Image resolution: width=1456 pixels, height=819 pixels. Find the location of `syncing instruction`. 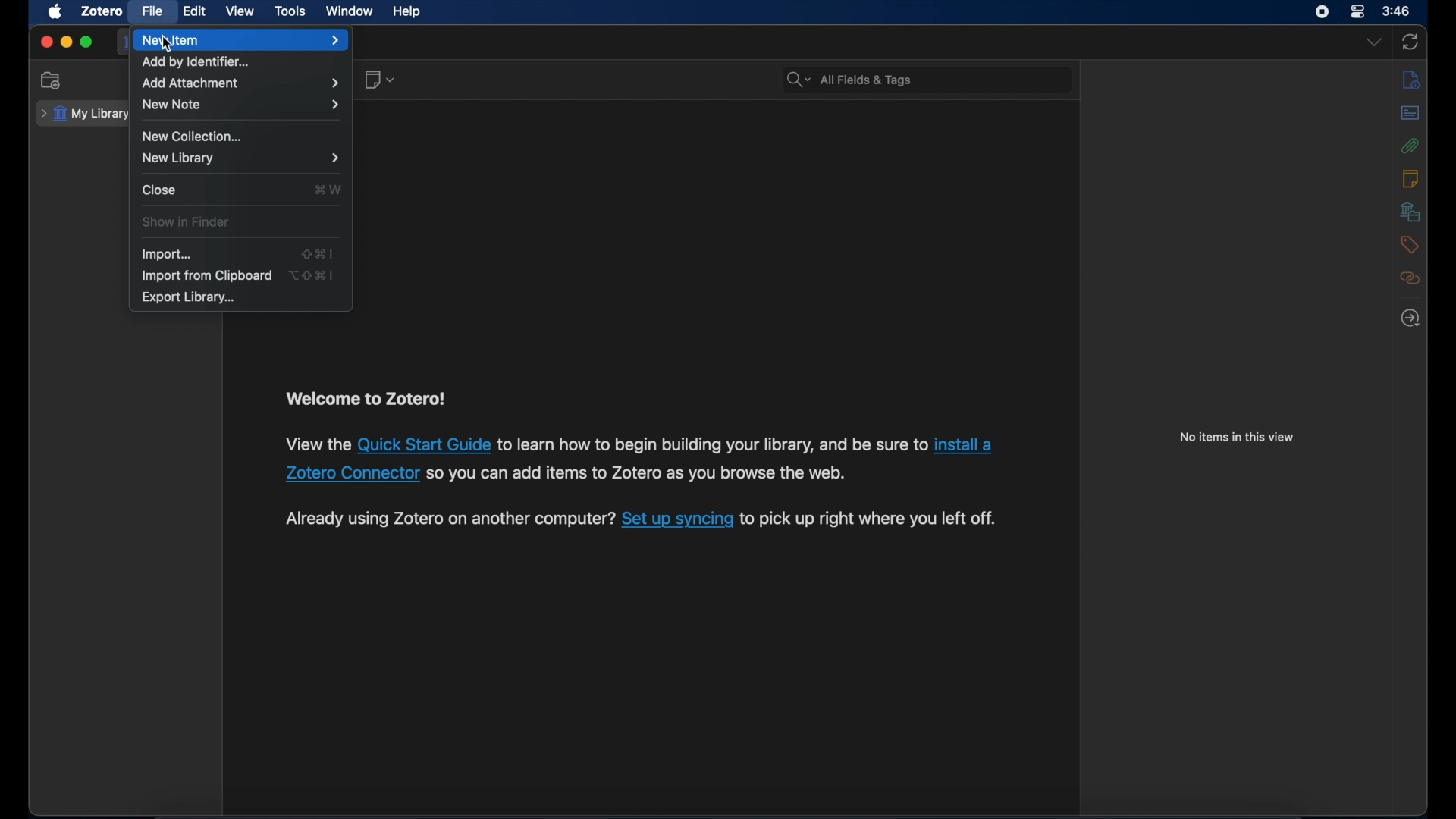

syncing instruction is located at coordinates (640, 519).